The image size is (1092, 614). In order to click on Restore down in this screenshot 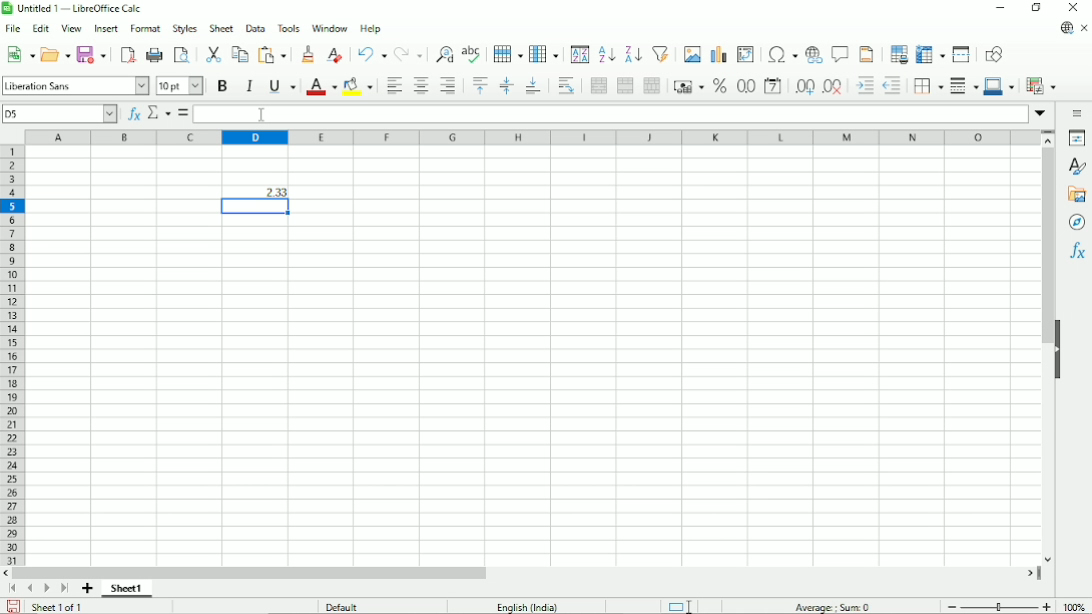, I will do `click(1037, 7)`.